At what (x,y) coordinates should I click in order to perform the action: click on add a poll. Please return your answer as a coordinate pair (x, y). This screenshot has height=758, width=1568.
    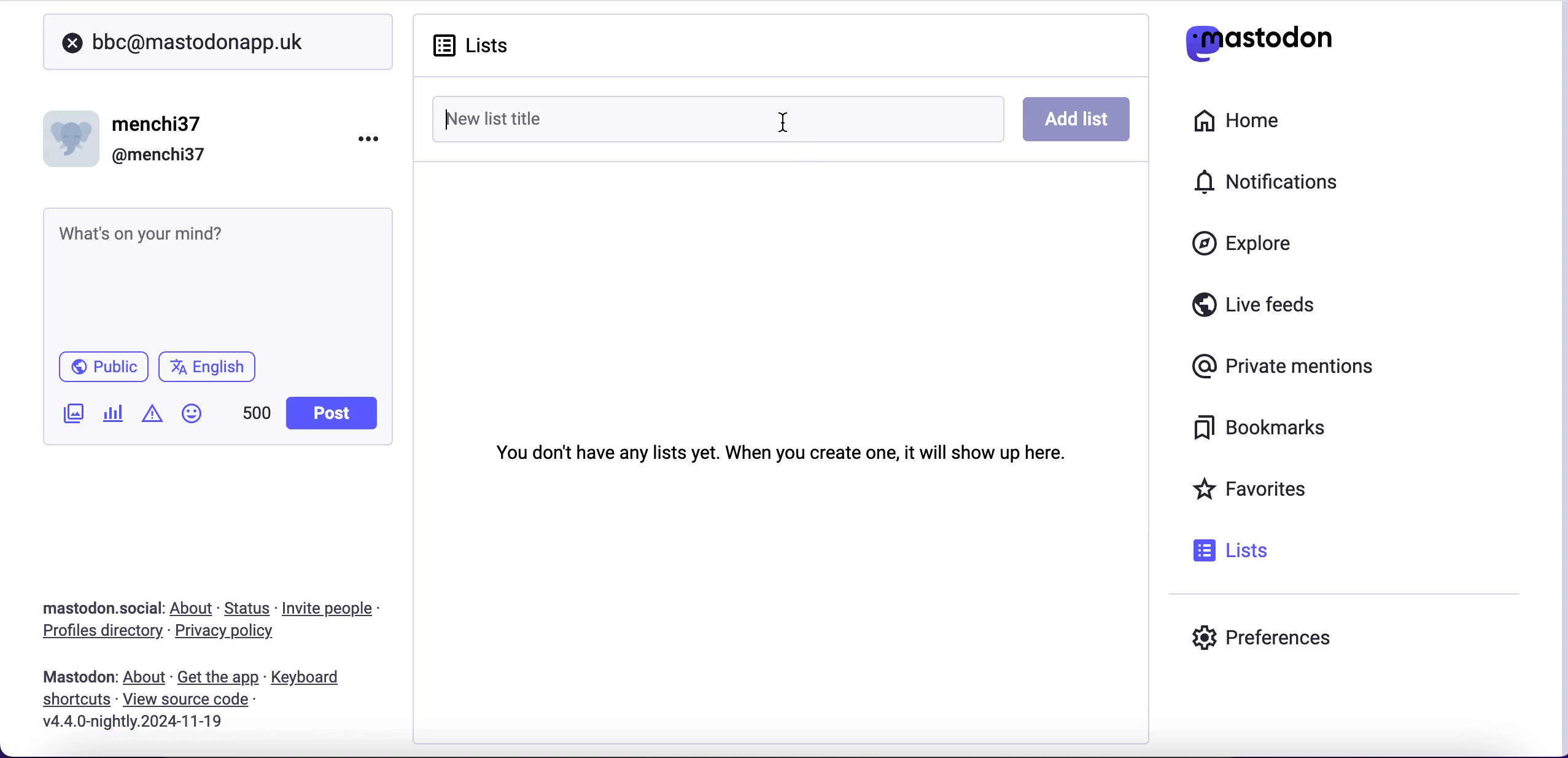
    Looking at the image, I should click on (112, 418).